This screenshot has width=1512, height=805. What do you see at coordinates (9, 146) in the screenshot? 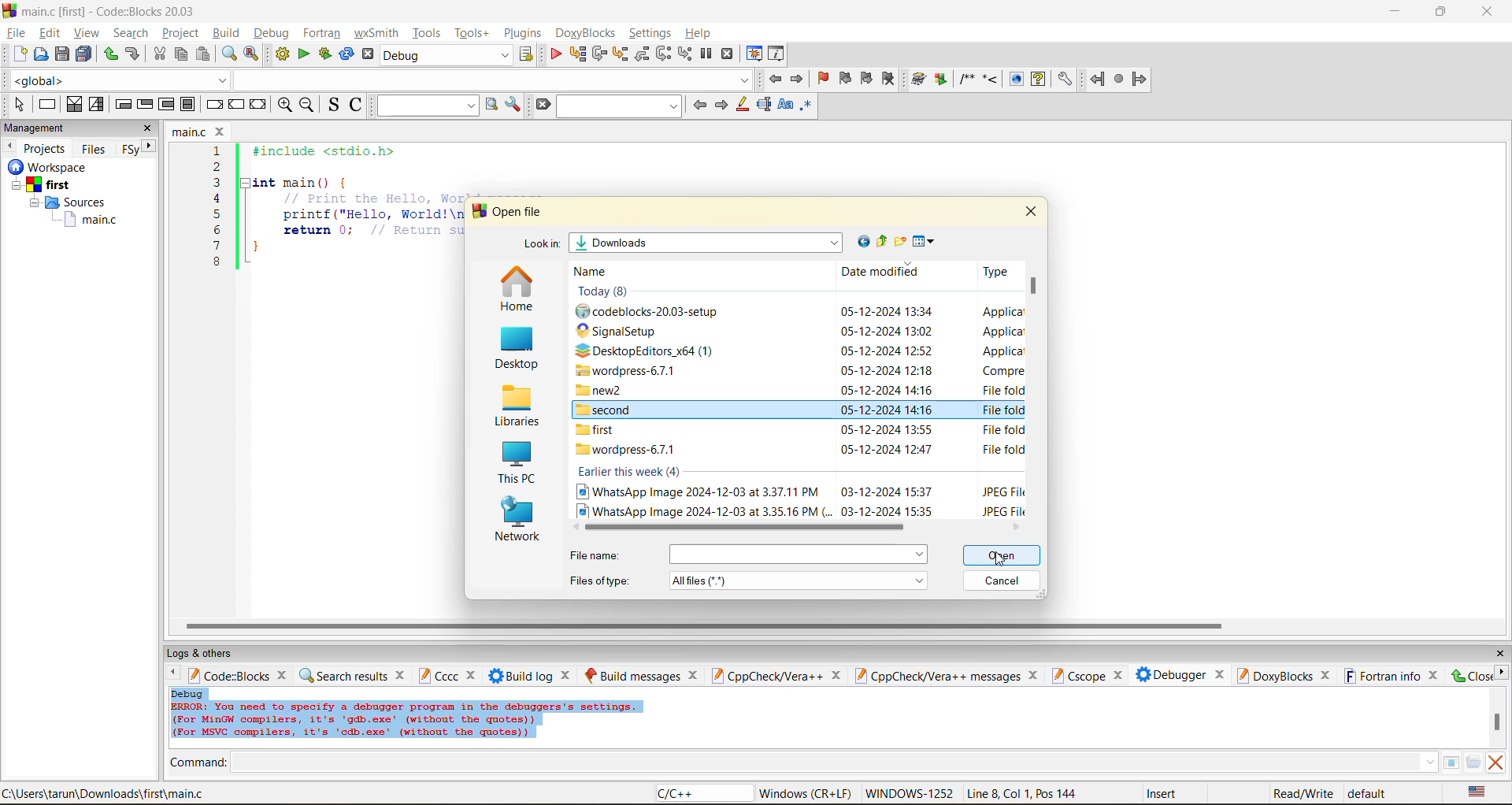
I see `previous` at bounding box center [9, 146].